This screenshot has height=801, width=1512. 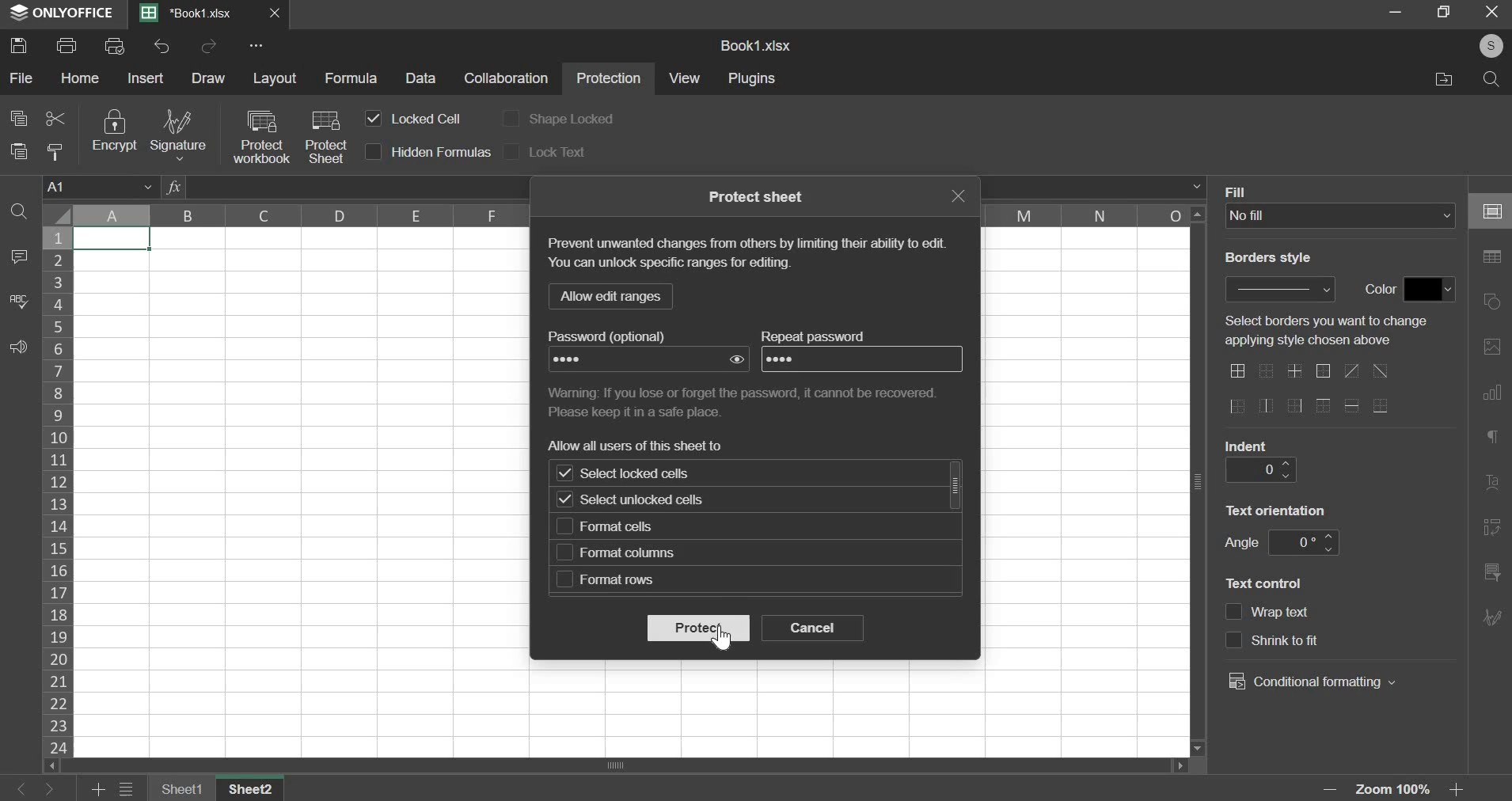 What do you see at coordinates (113, 131) in the screenshot?
I see `encrypt` at bounding box center [113, 131].